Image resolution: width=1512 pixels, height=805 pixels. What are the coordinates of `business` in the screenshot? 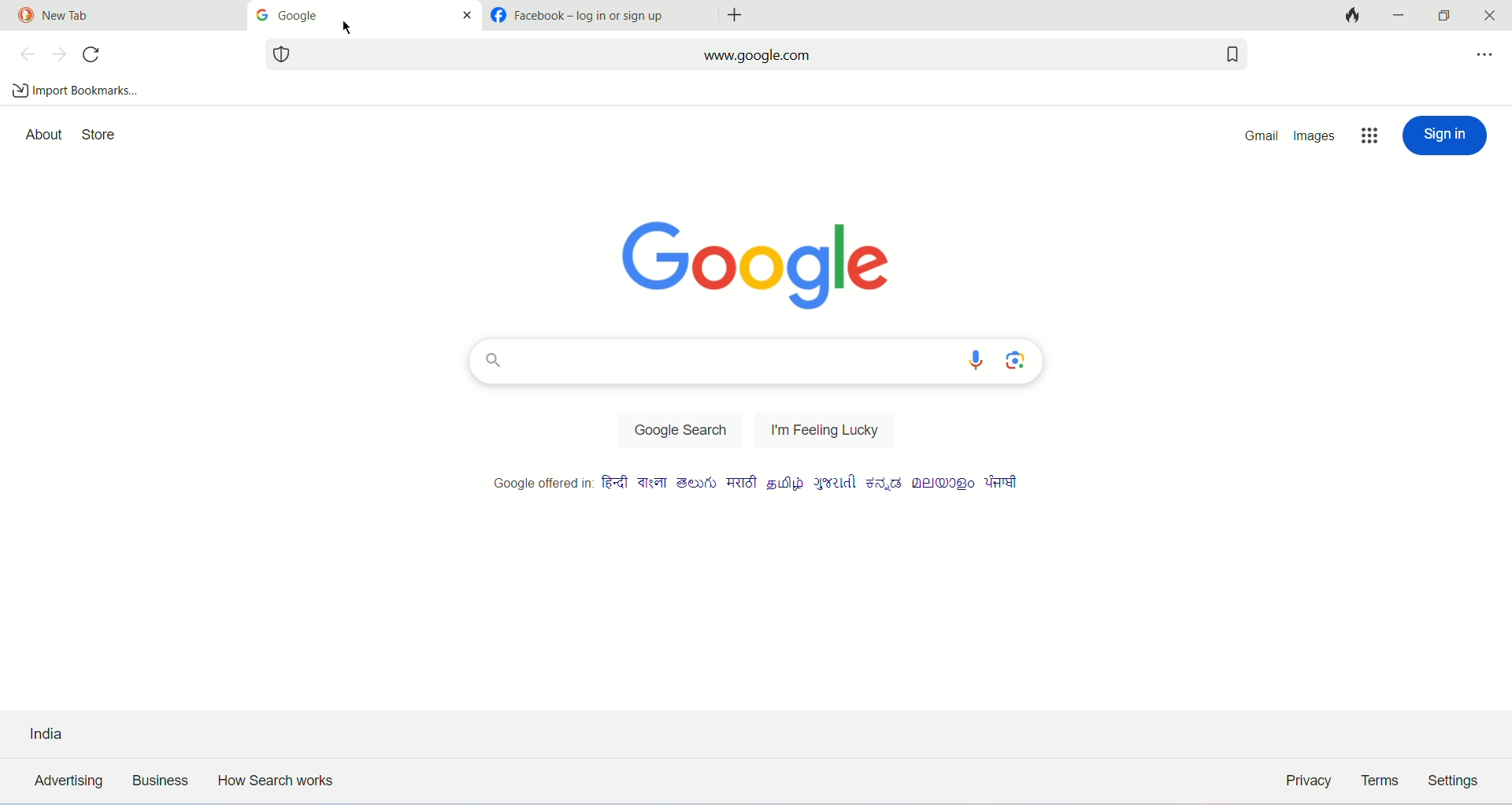 It's located at (157, 781).